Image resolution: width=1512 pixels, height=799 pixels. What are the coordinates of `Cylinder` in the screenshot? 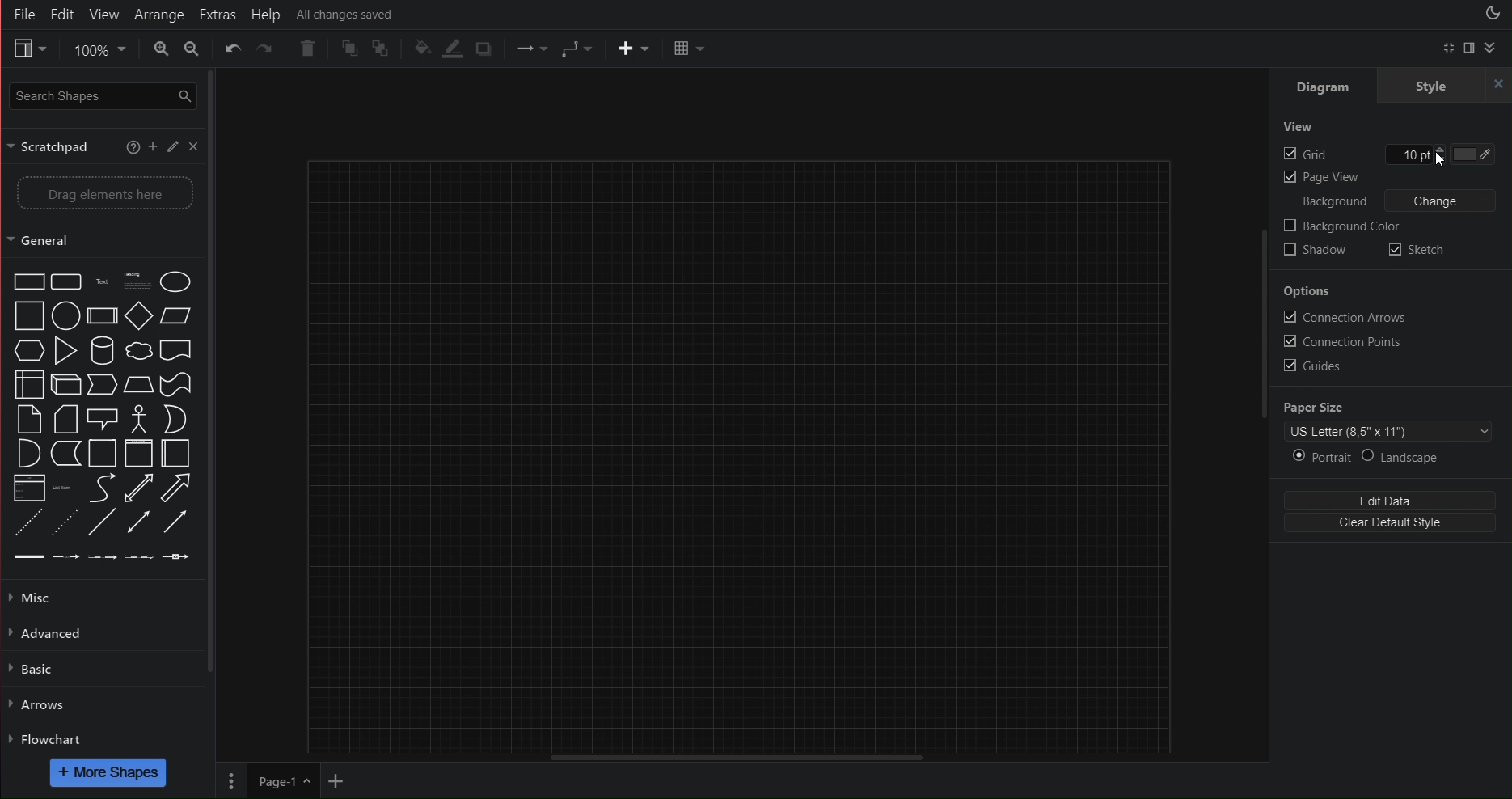 It's located at (101, 348).